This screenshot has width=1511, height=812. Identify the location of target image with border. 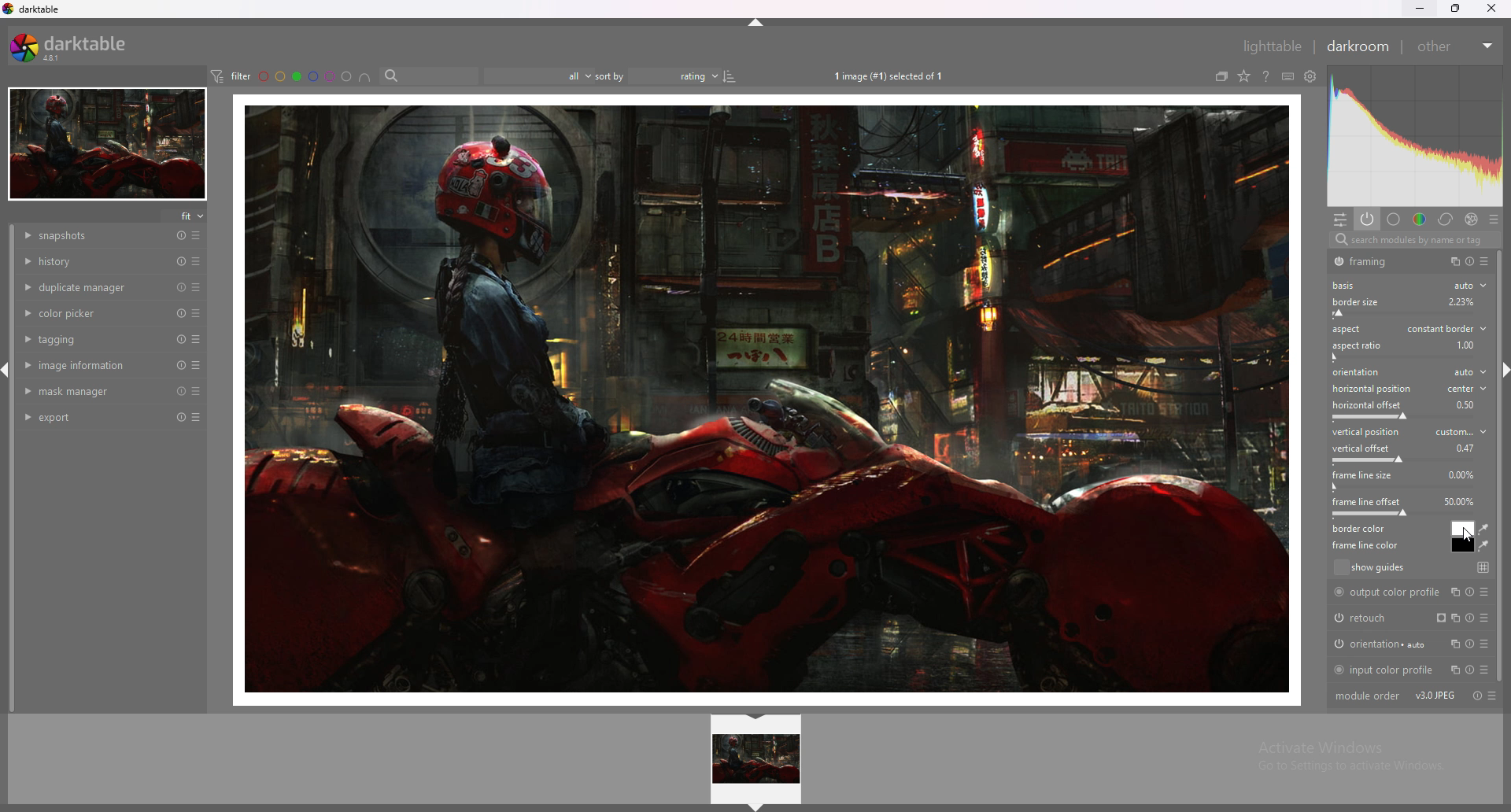
(766, 402).